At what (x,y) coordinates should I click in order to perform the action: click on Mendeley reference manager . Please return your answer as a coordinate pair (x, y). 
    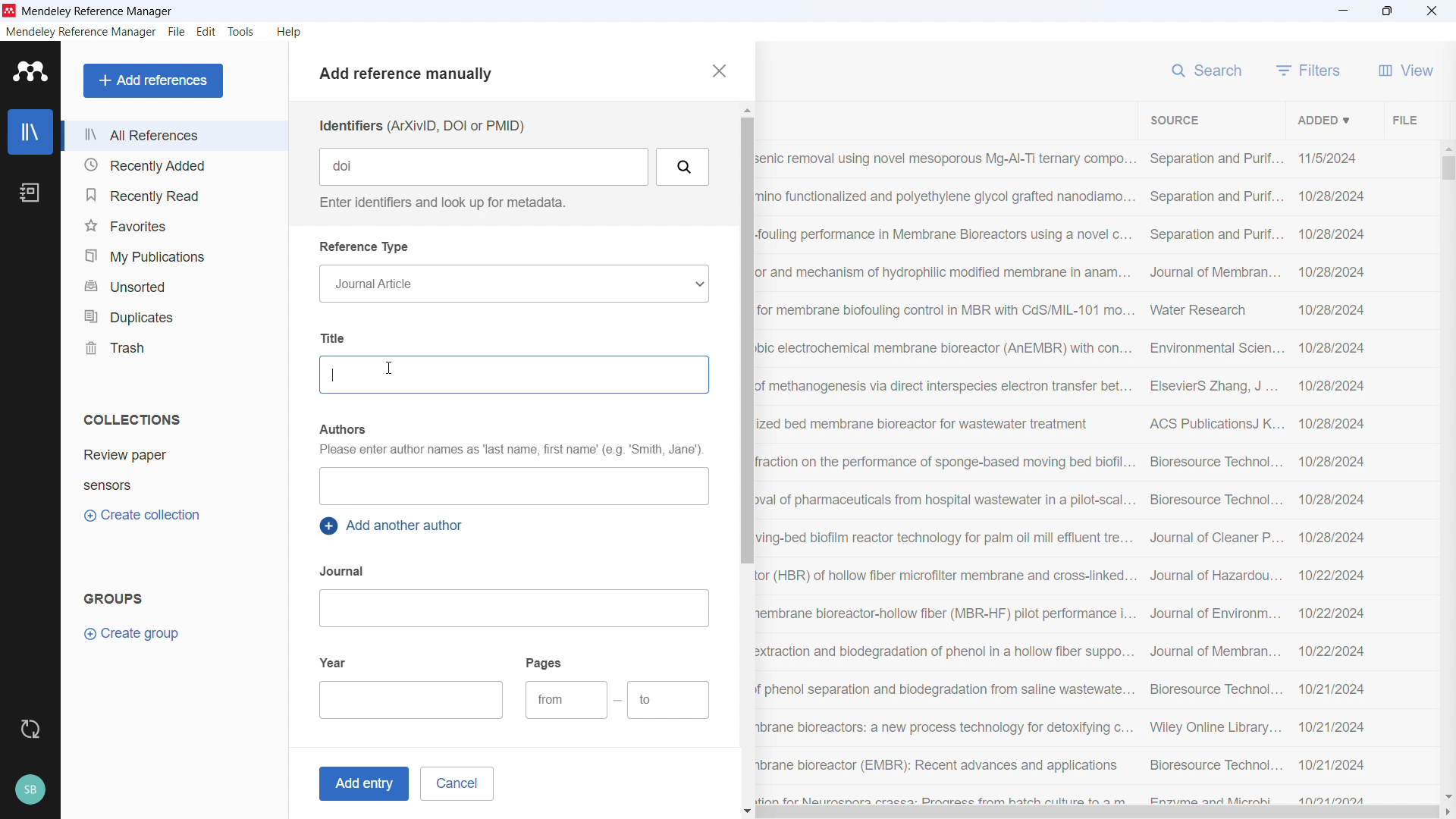
    Looking at the image, I should click on (81, 32).